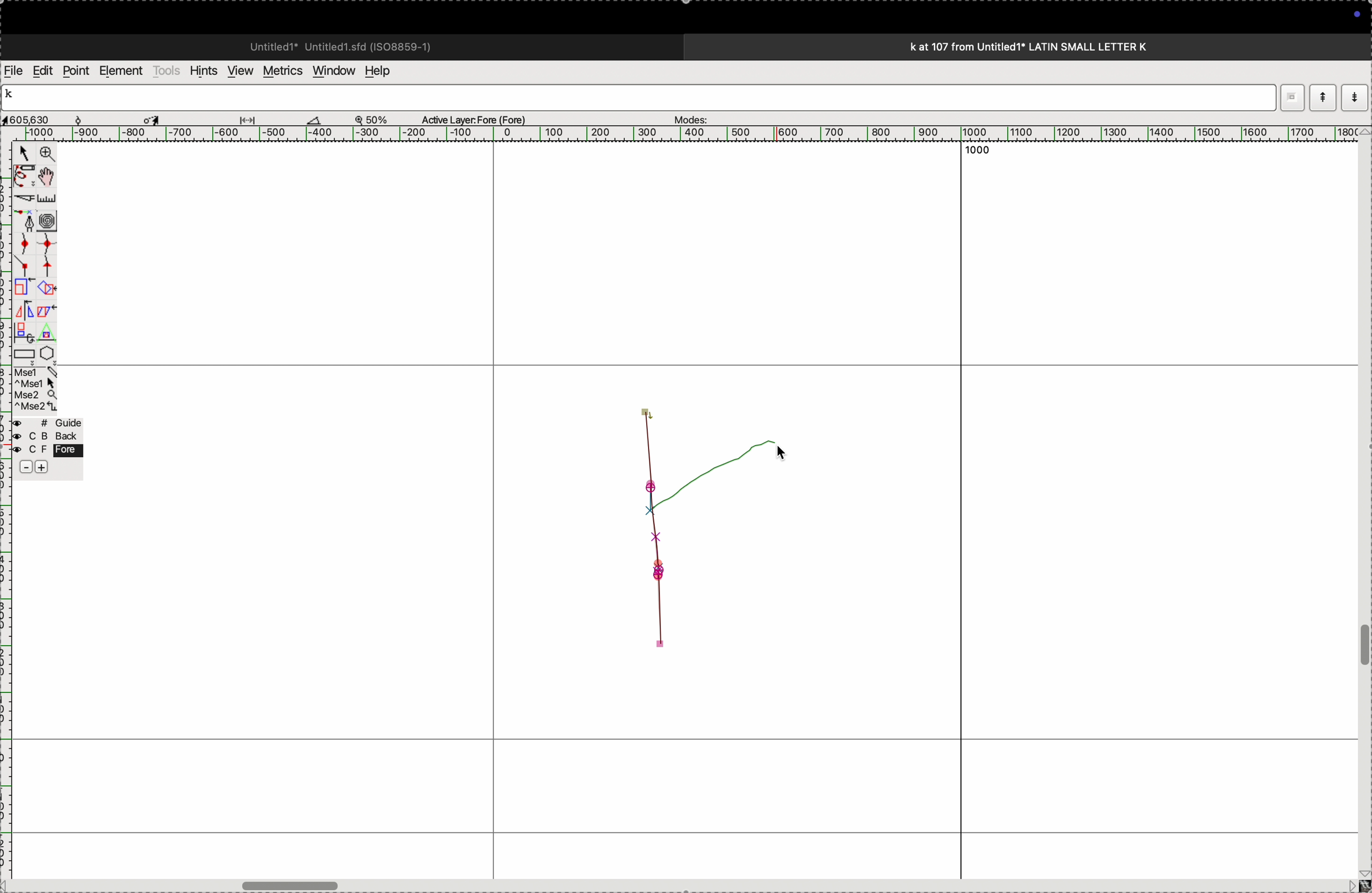  Describe the element at coordinates (673, 134) in the screenshot. I see `horizontal scale` at that location.